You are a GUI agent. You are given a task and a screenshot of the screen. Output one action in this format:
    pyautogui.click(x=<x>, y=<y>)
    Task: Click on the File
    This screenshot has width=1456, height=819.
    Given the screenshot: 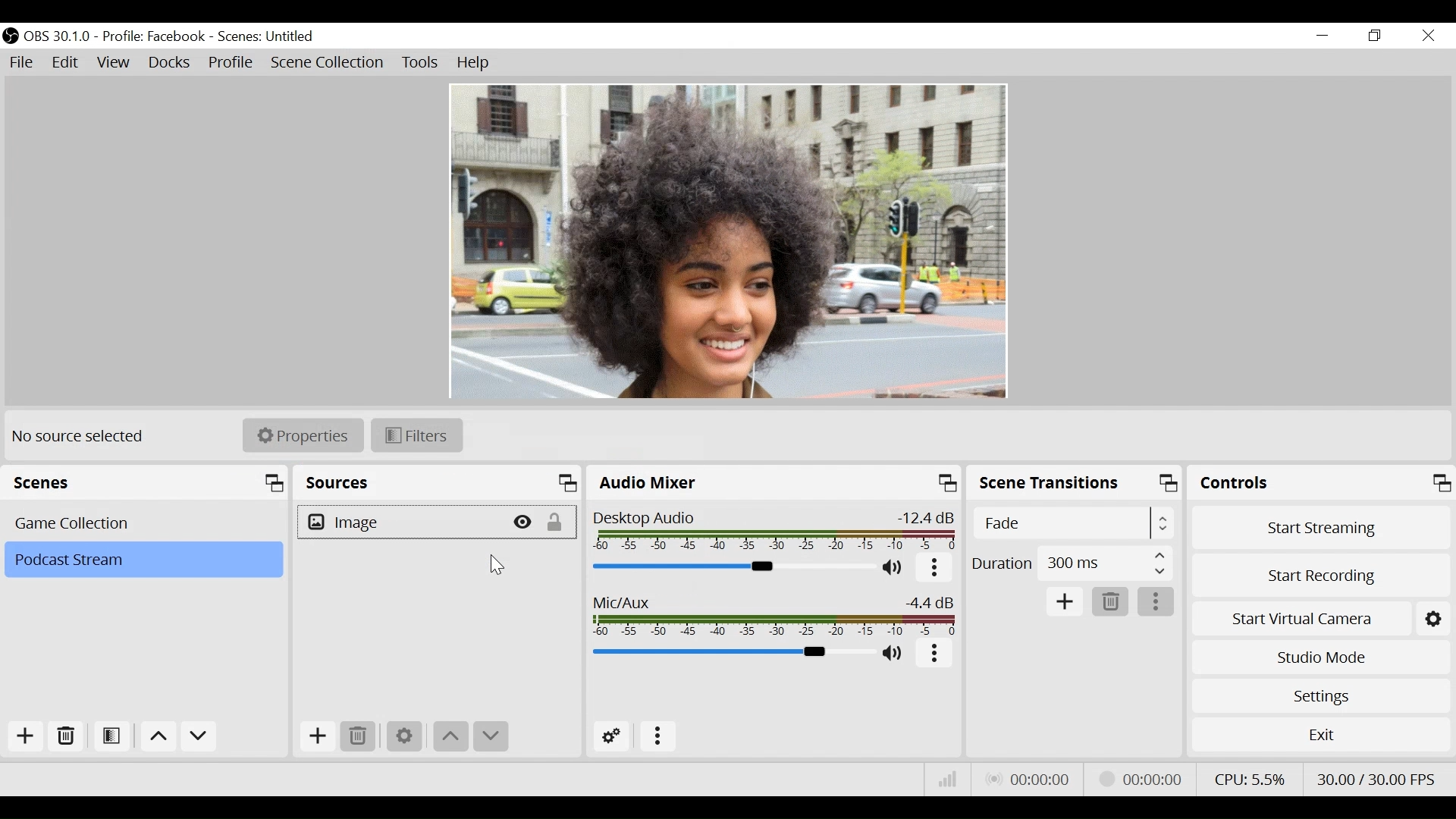 What is the action you would take?
    pyautogui.click(x=24, y=62)
    